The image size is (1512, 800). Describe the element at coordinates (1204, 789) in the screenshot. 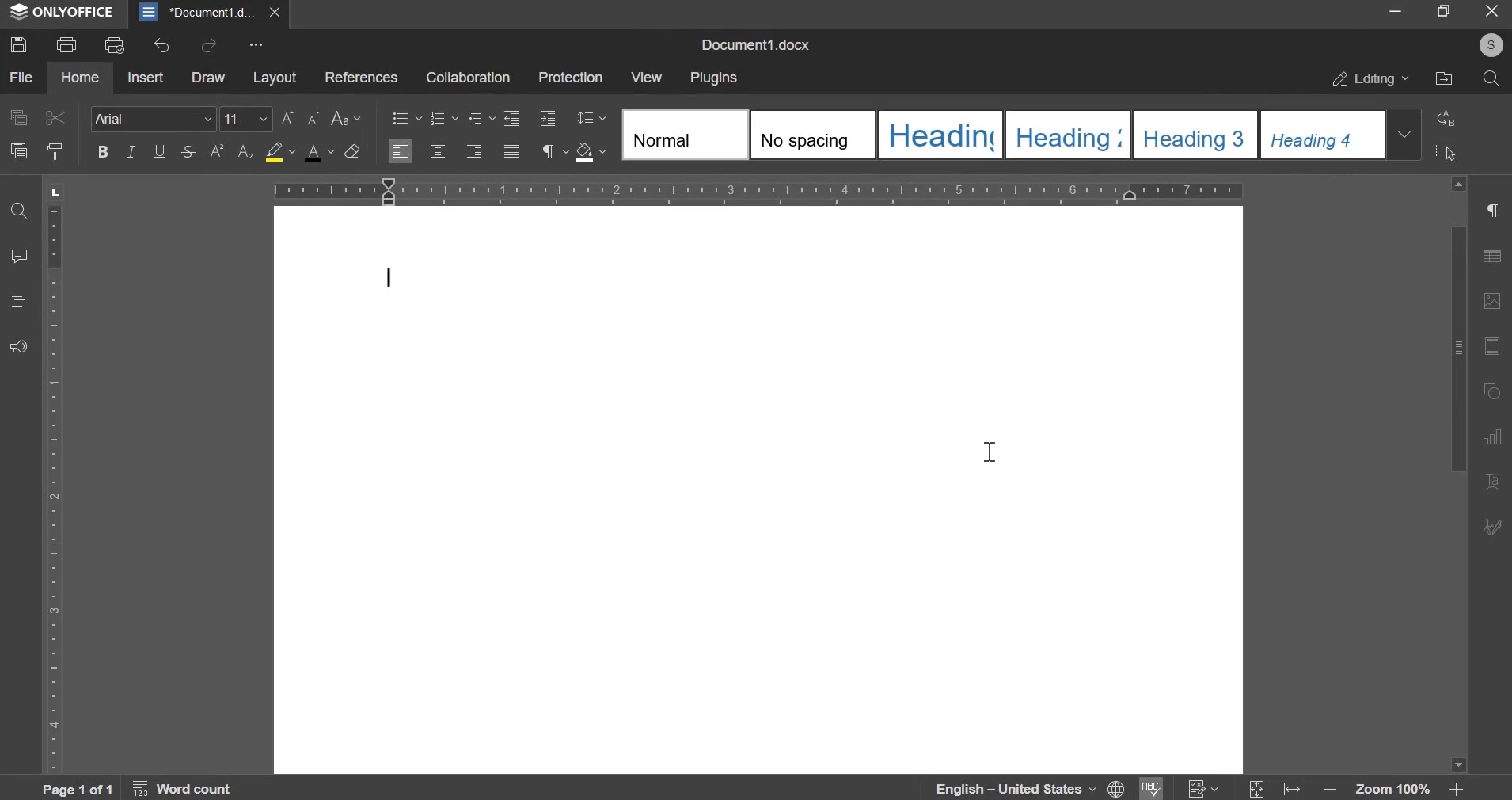

I see `numbers` at that location.